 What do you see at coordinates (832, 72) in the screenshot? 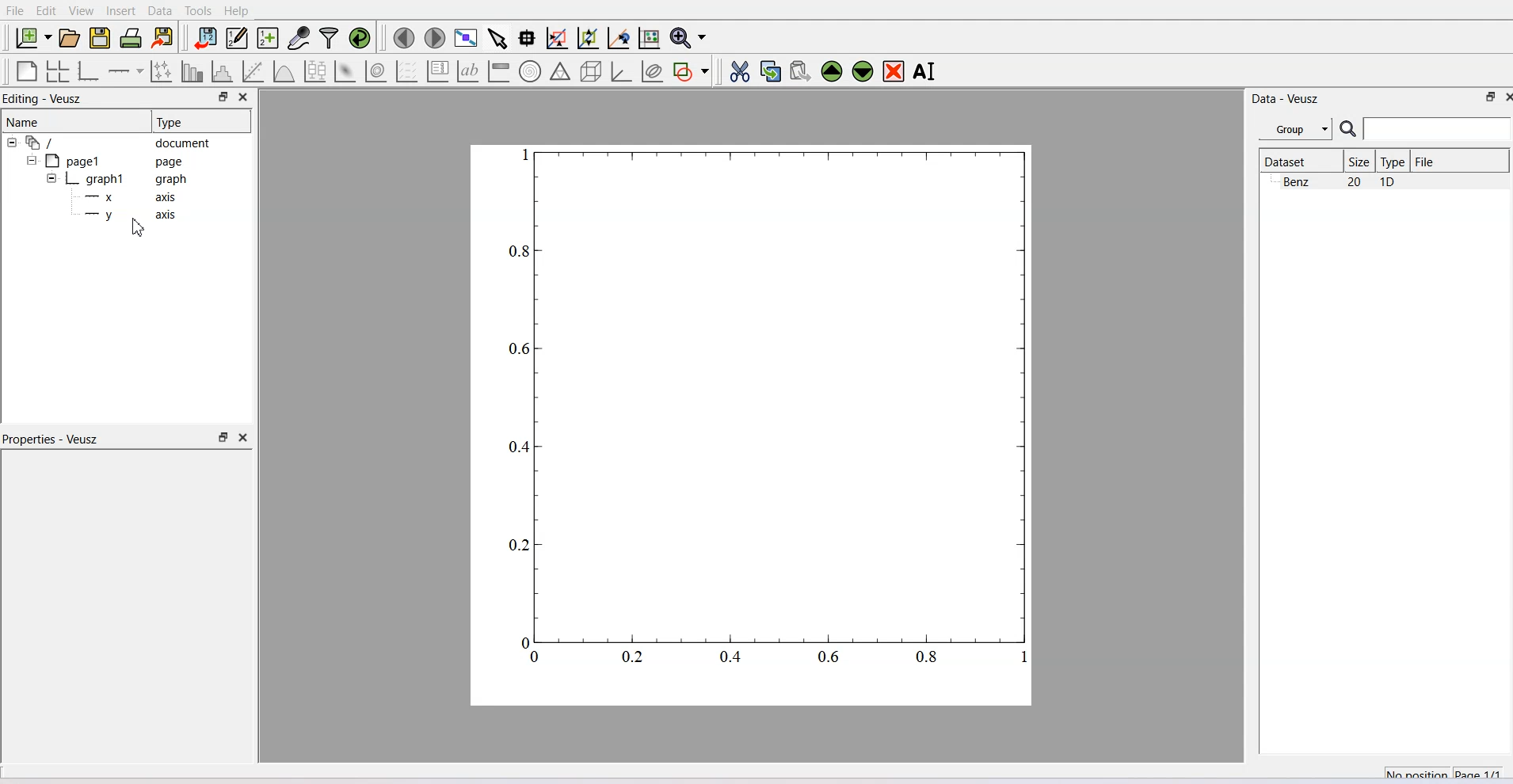
I see `Move the selected widget up` at bounding box center [832, 72].